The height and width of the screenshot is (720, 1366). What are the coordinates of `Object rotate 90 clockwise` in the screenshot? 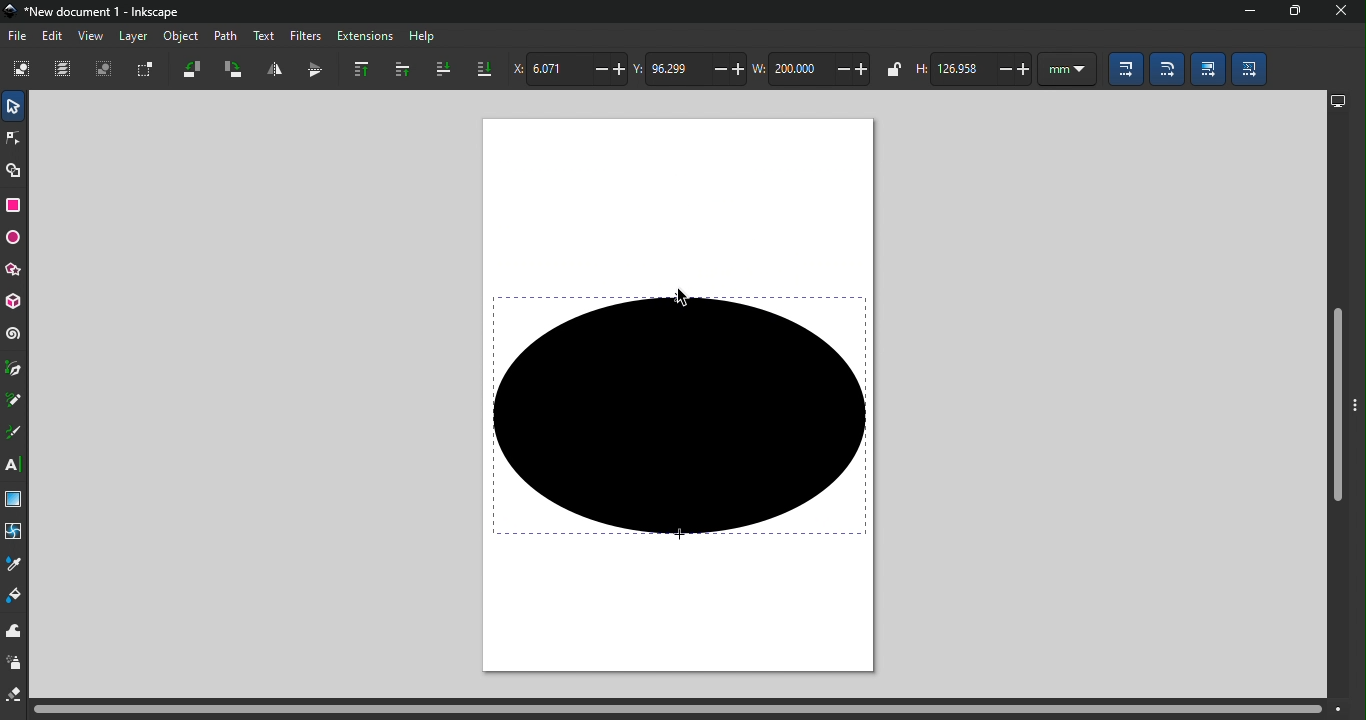 It's located at (236, 72).